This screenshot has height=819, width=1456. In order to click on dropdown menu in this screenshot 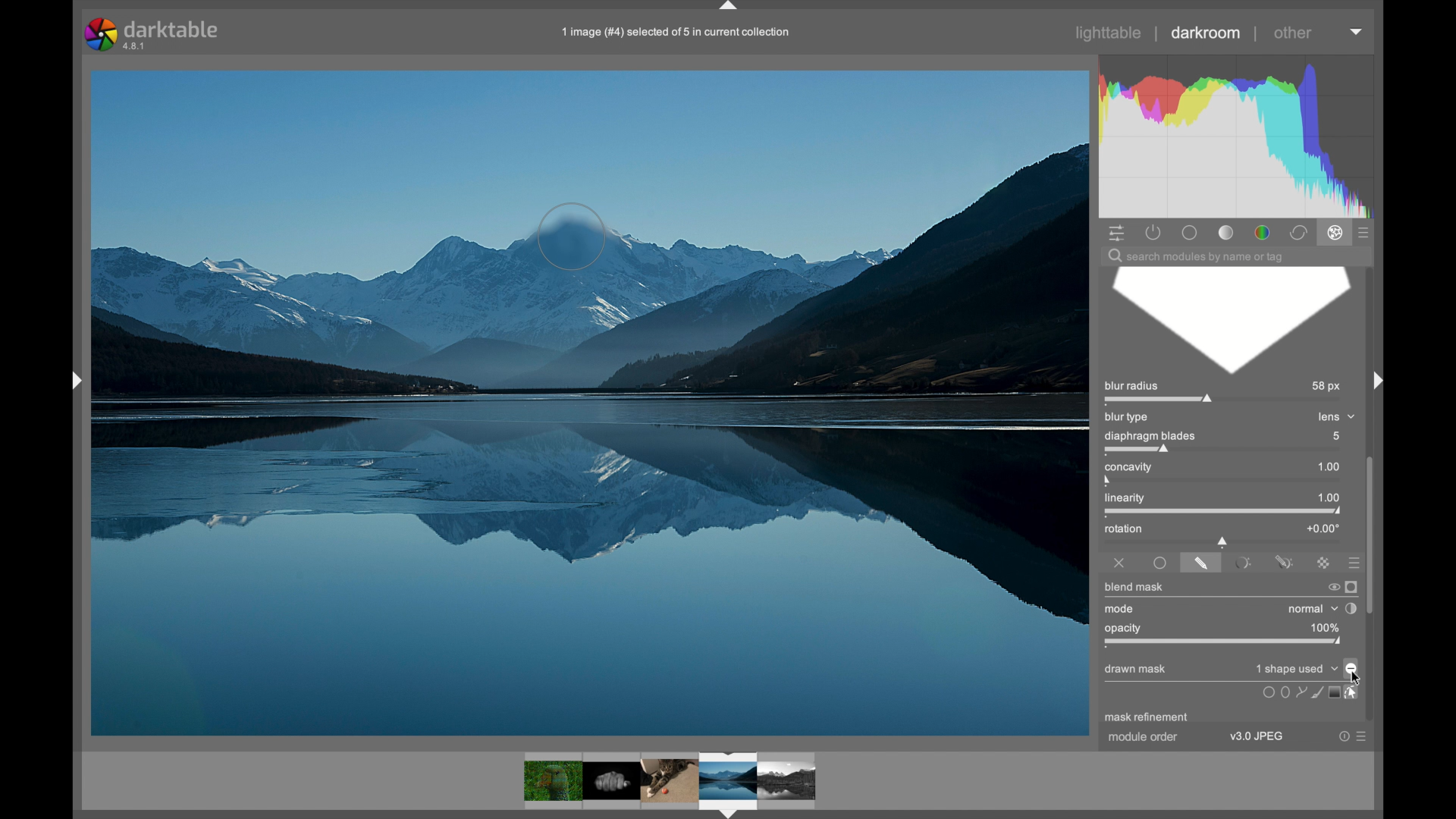, I will do `click(1357, 33)`.